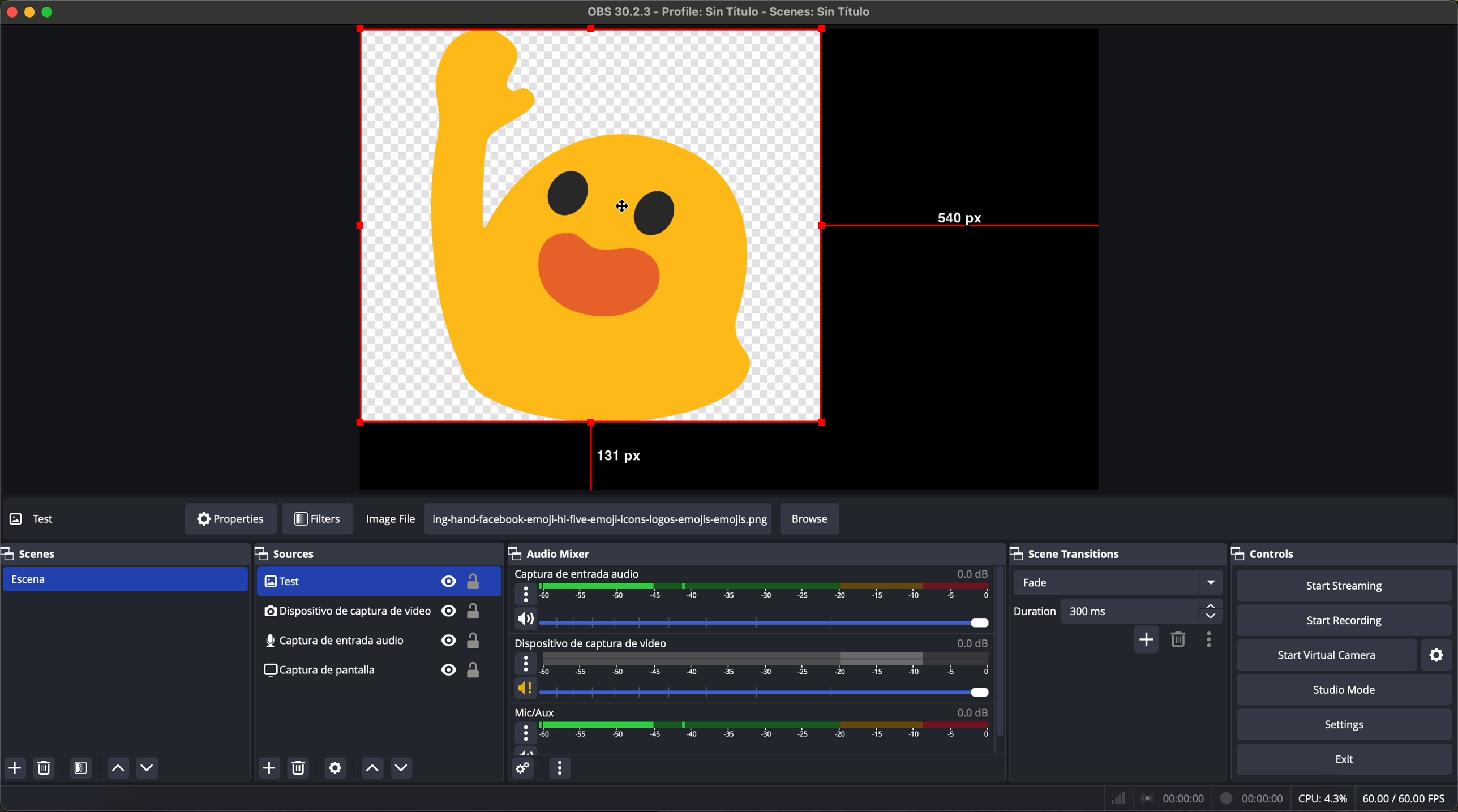 Image resolution: width=1458 pixels, height=812 pixels. Describe the element at coordinates (526, 750) in the screenshot. I see `vol` at that location.